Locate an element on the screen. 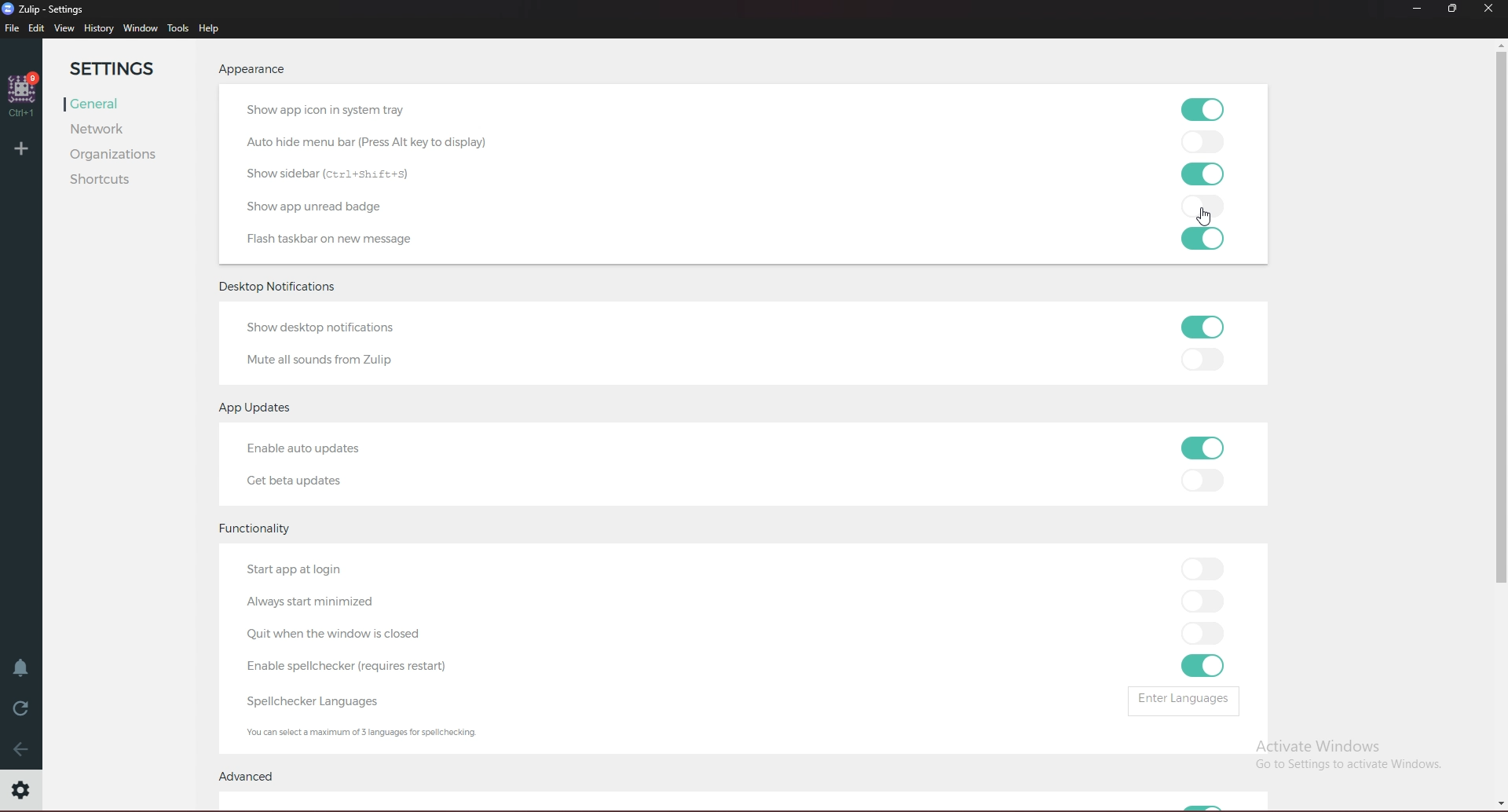 The width and height of the screenshot is (1508, 812). minimize is located at coordinates (1418, 8).